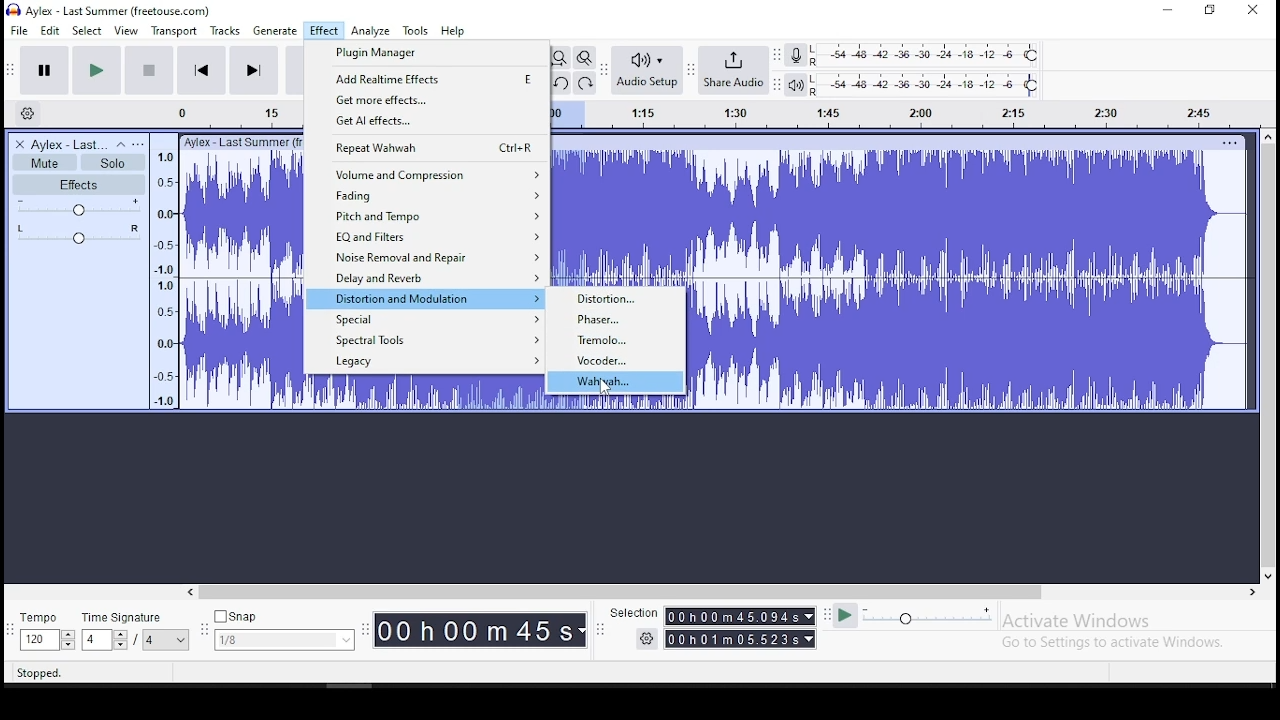 This screenshot has height=720, width=1280. I want to click on distortion, so click(618, 298).